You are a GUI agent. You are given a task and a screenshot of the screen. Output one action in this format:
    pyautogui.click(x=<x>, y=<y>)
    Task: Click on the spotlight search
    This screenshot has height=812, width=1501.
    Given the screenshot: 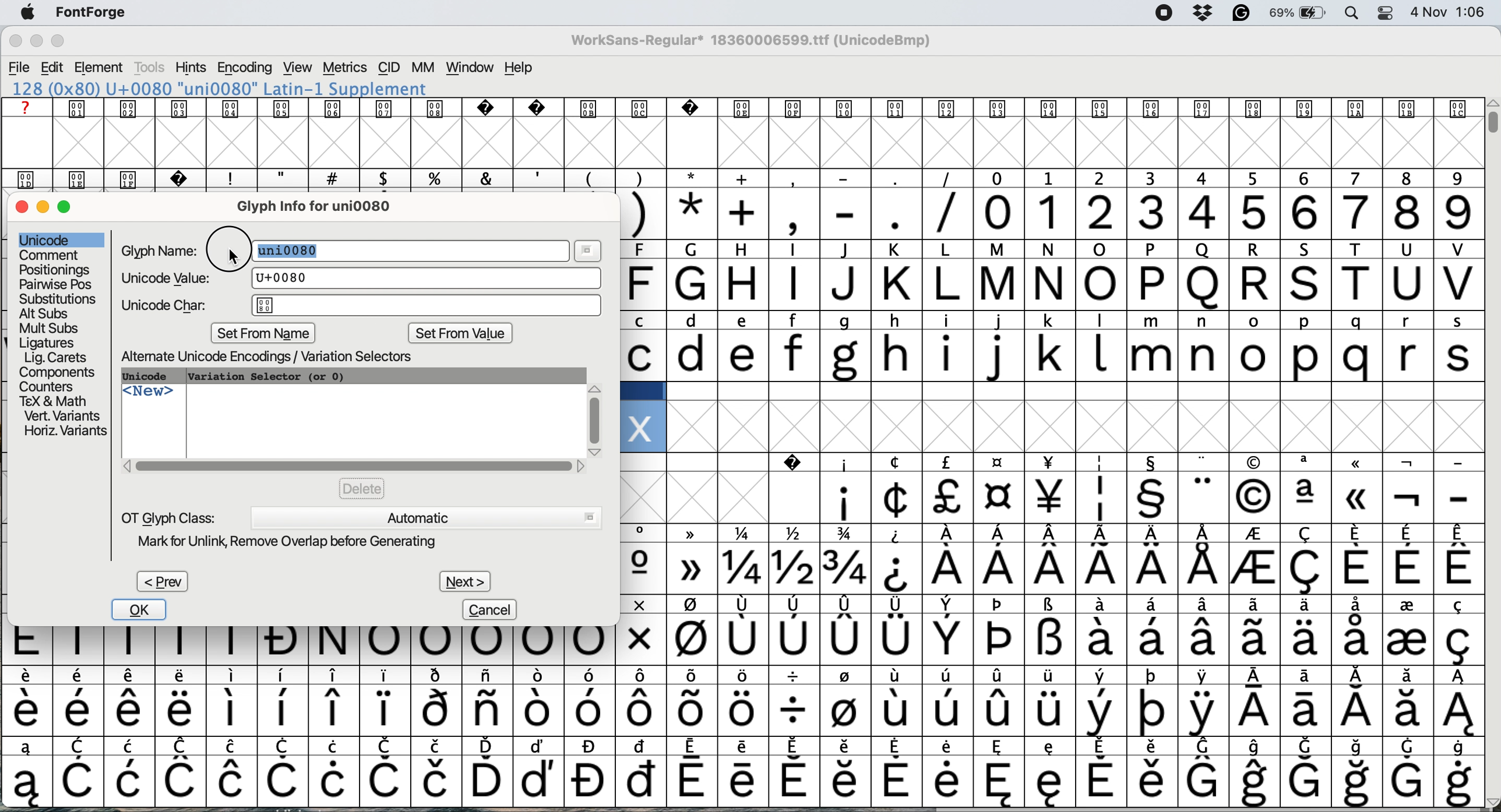 What is the action you would take?
    pyautogui.click(x=1352, y=14)
    